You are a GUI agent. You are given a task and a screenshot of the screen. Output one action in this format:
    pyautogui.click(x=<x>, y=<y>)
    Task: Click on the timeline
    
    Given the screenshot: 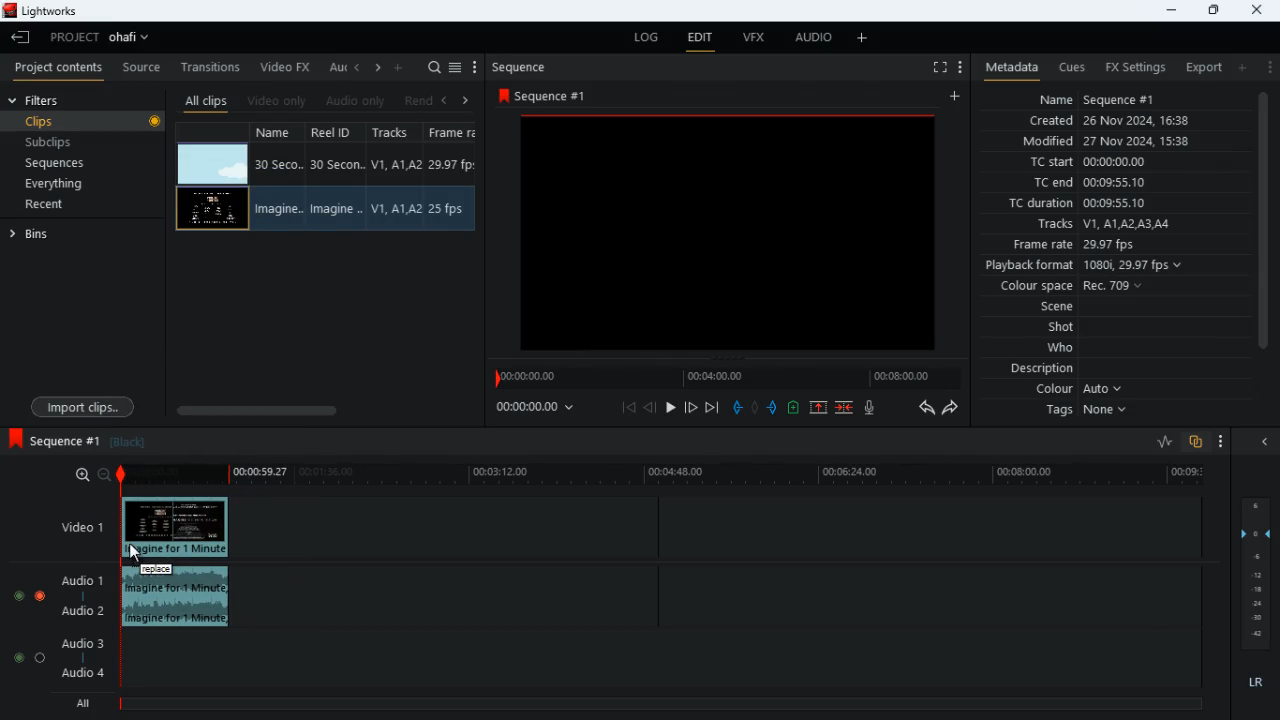 What is the action you would take?
    pyautogui.click(x=730, y=376)
    